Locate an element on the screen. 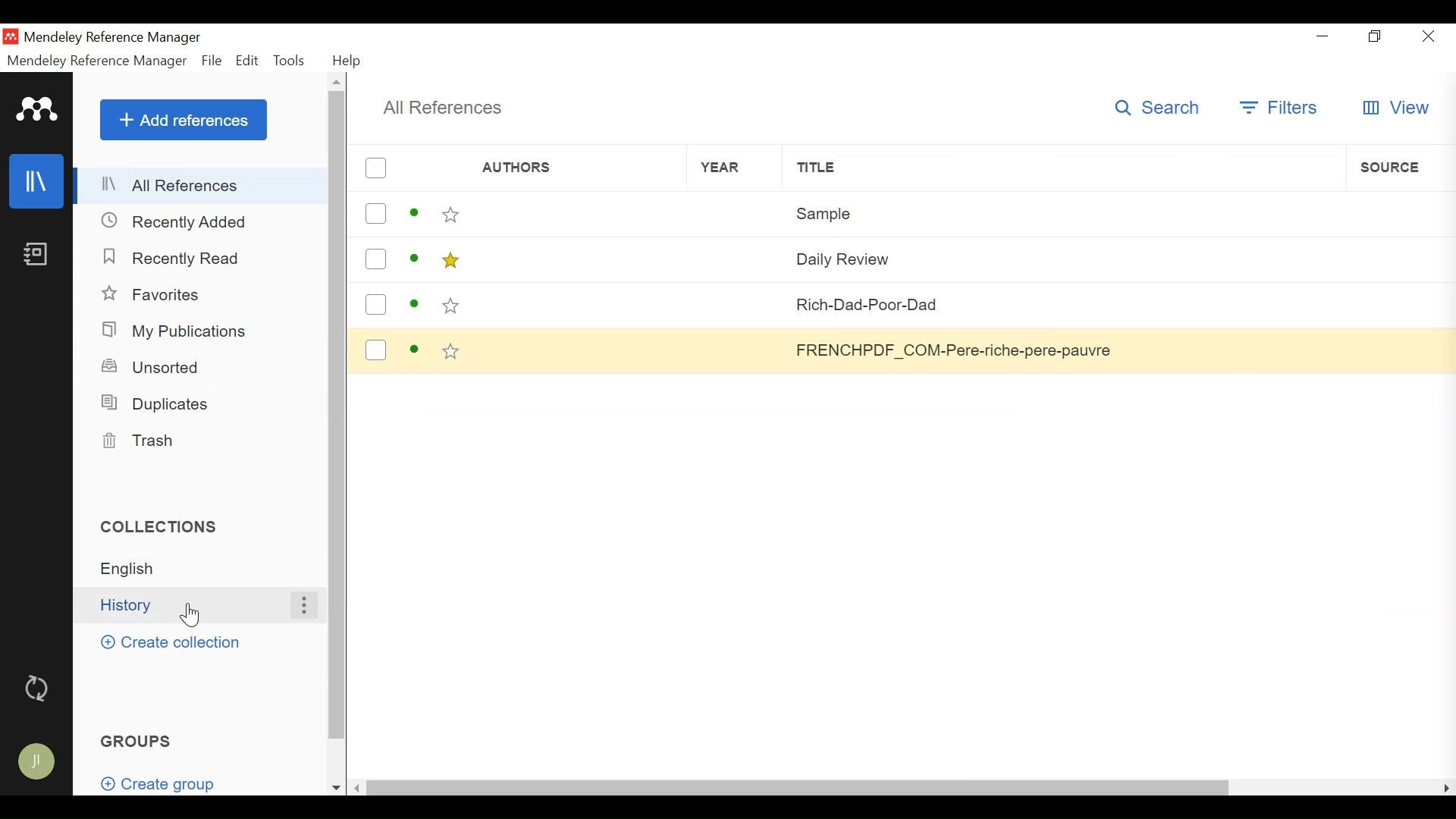 This screenshot has height=819, width=1456. Sample is located at coordinates (1064, 212).